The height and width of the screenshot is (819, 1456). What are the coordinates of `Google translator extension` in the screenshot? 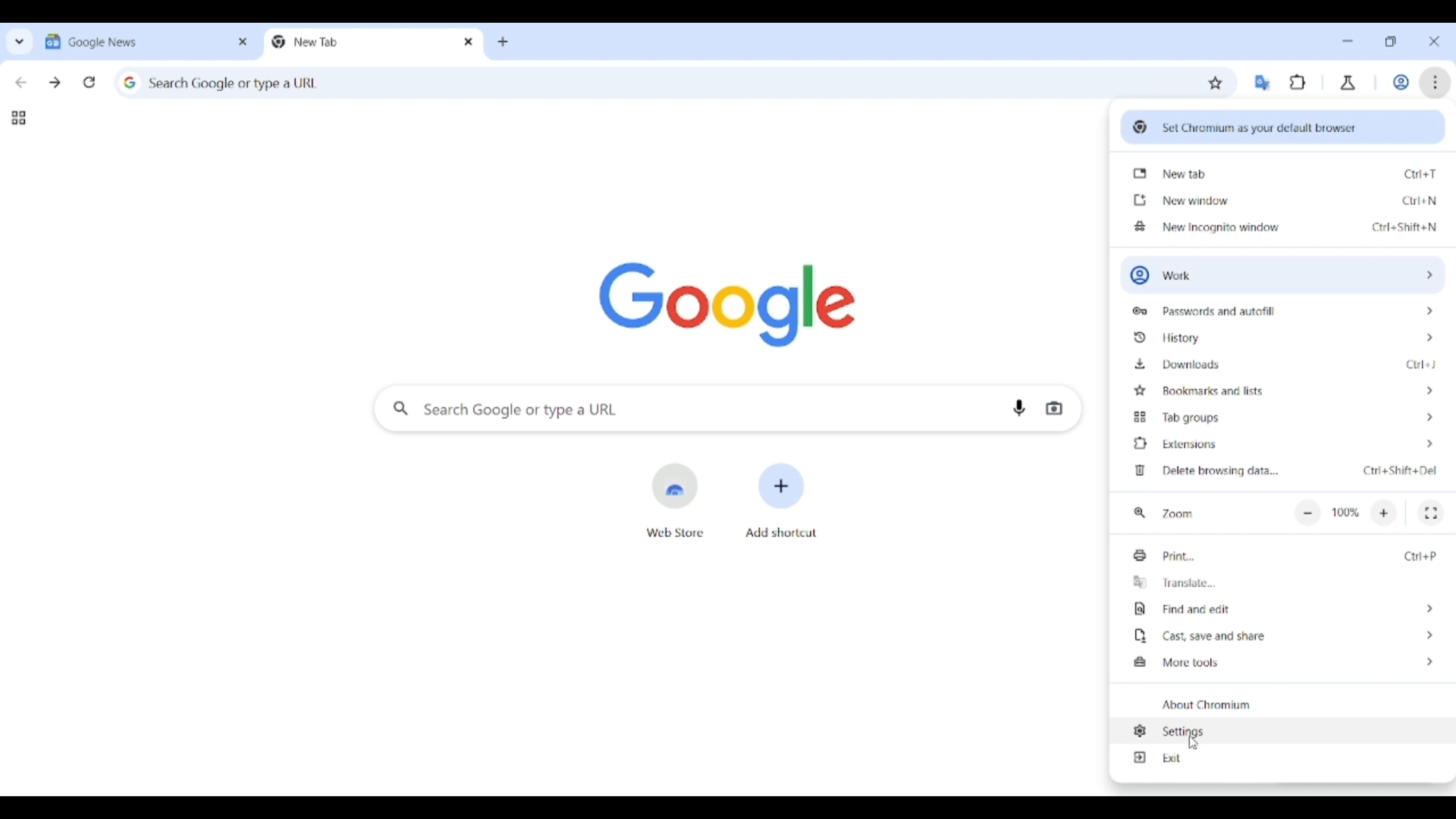 It's located at (1262, 83).